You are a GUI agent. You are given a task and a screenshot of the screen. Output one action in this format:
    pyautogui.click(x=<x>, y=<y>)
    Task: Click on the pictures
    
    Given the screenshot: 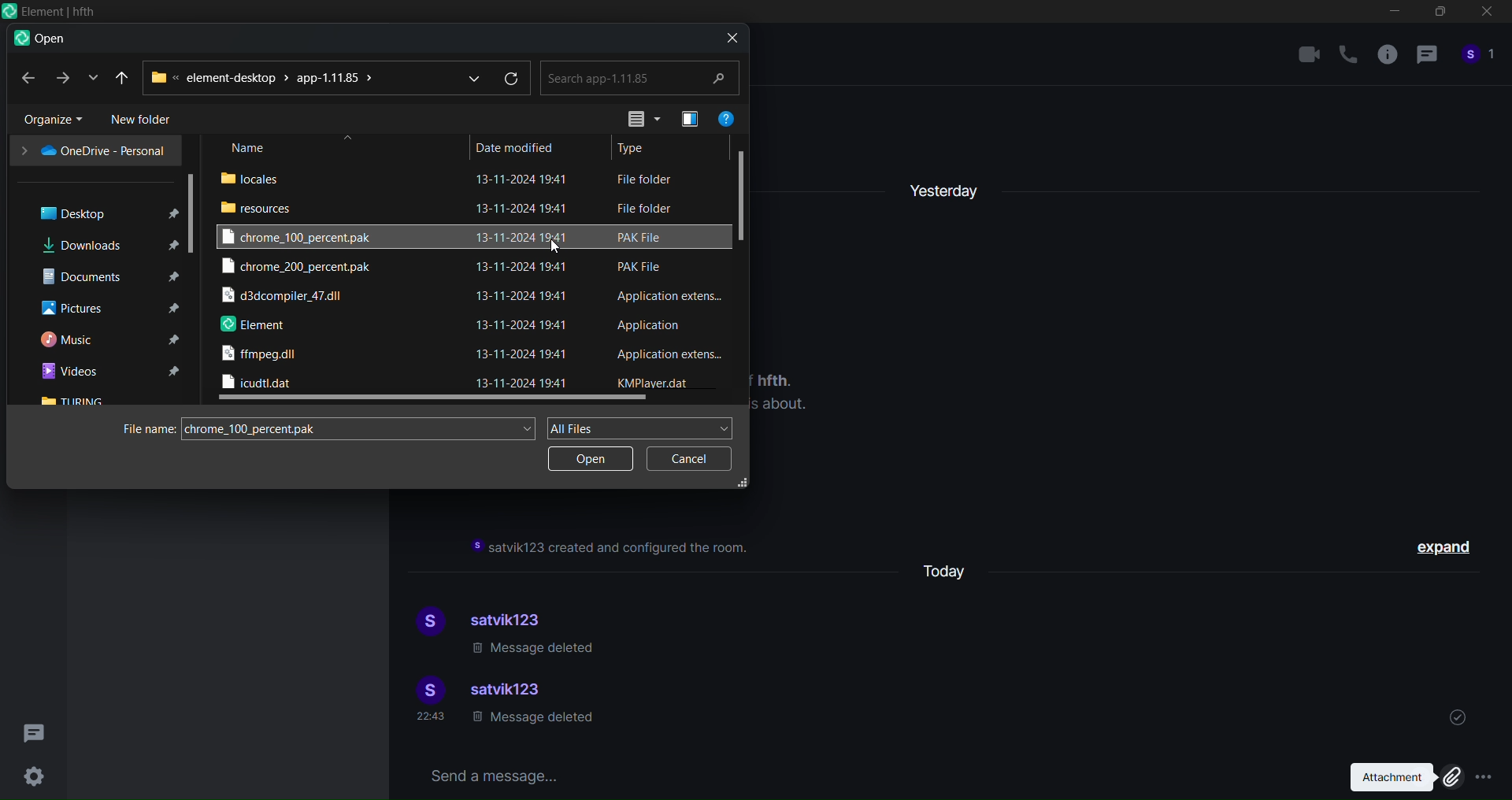 What is the action you would take?
    pyautogui.click(x=106, y=309)
    